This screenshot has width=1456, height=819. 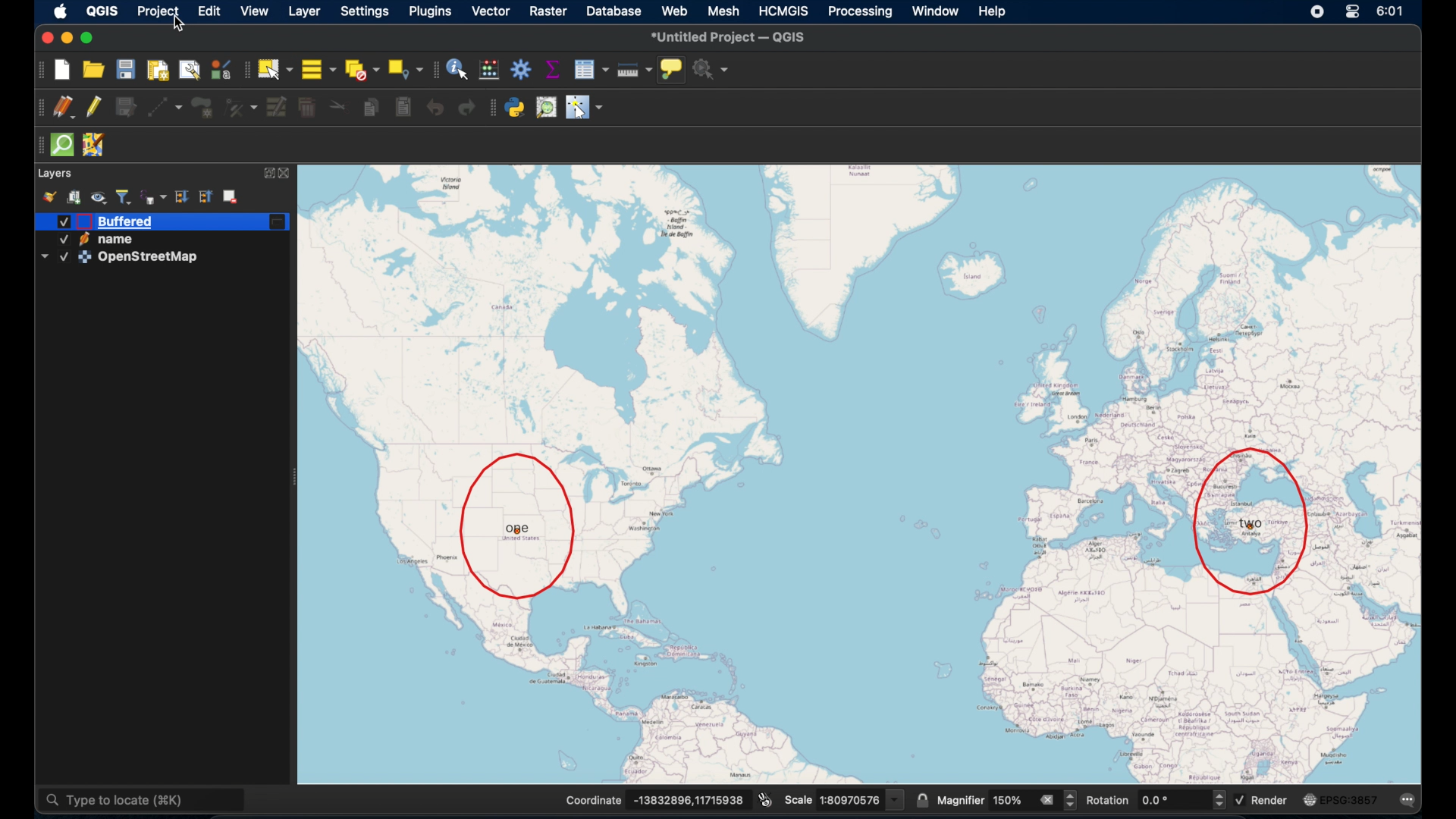 What do you see at coordinates (61, 240) in the screenshot?
I see `Checked checkbox` at bounding box center [61, 240].